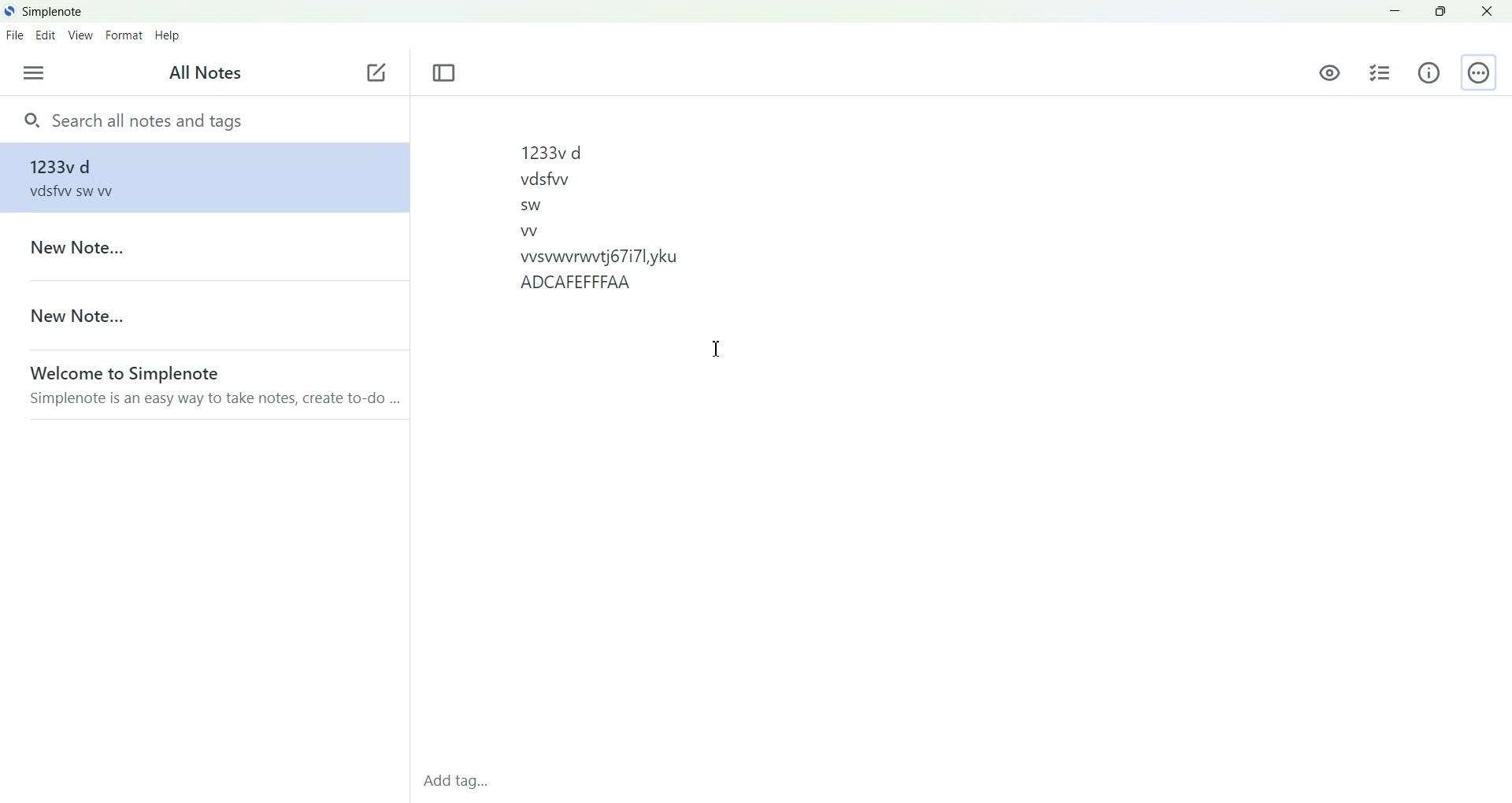 The width and height of the screenshot is (1512, 803). I want to click on Help, so click(168, 35).